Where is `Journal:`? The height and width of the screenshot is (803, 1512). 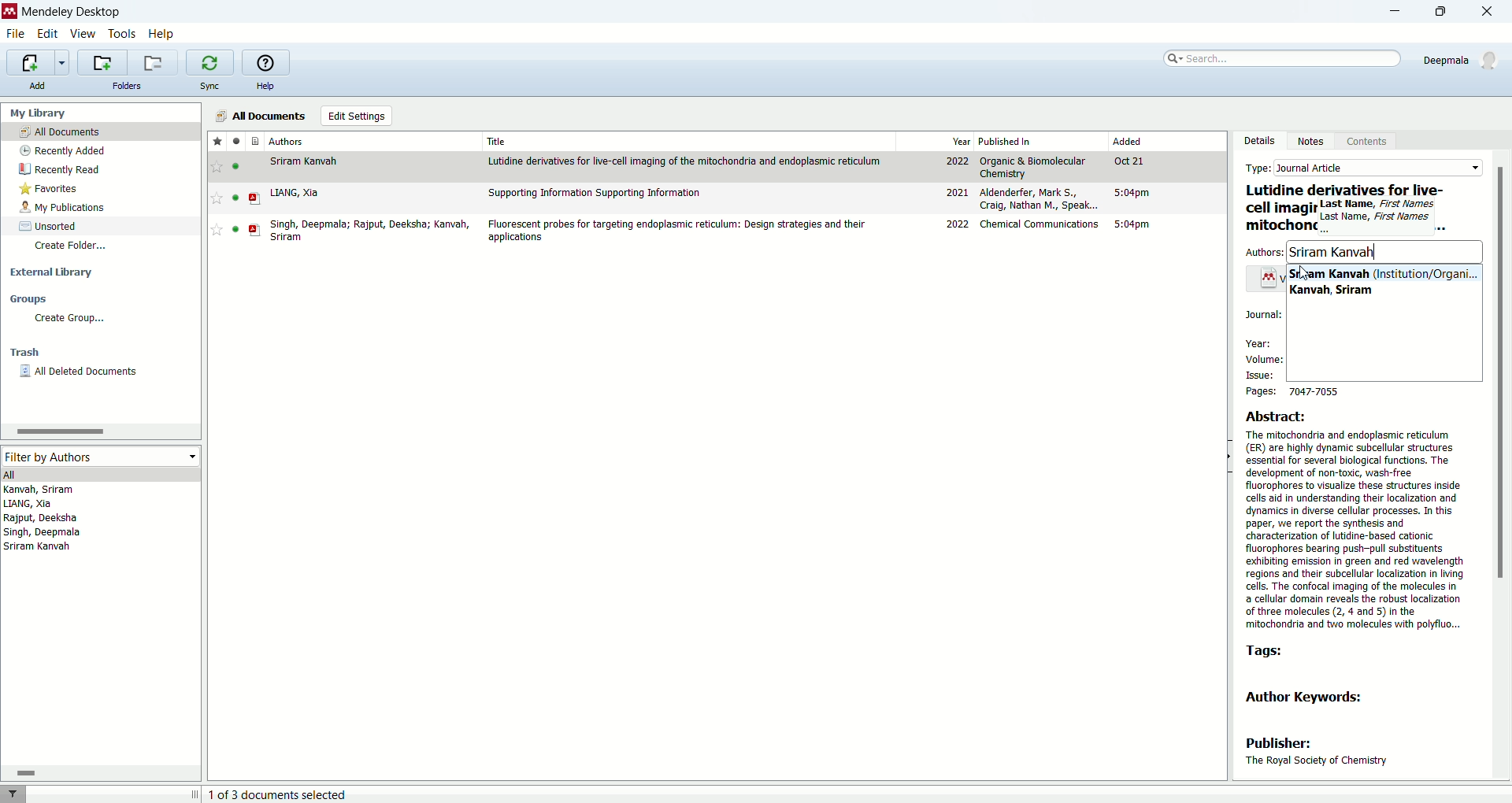
Journal: is located at coordinates (1263, 316).